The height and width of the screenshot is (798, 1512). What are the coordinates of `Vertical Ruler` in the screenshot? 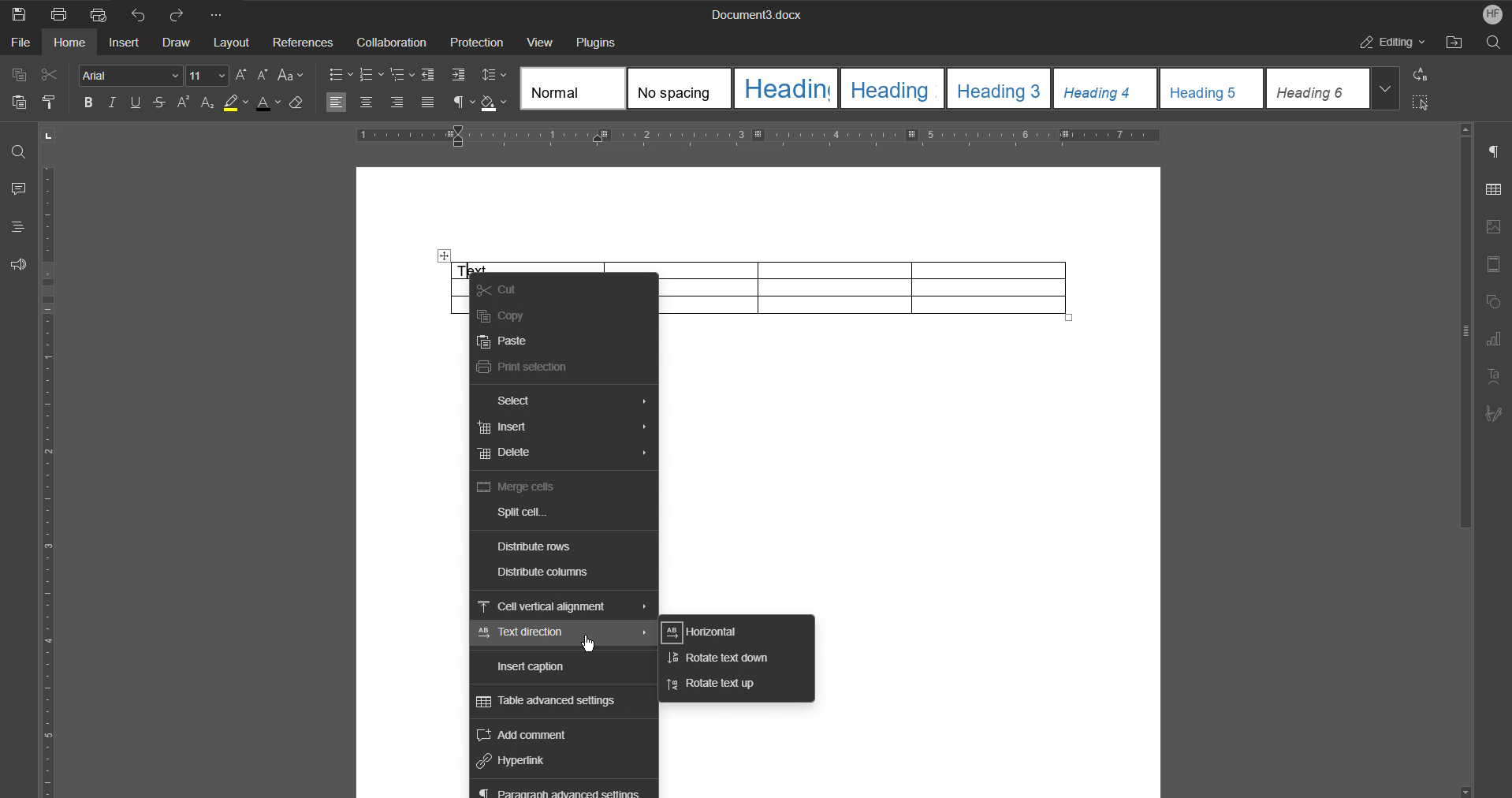 It's located at (51, 482).